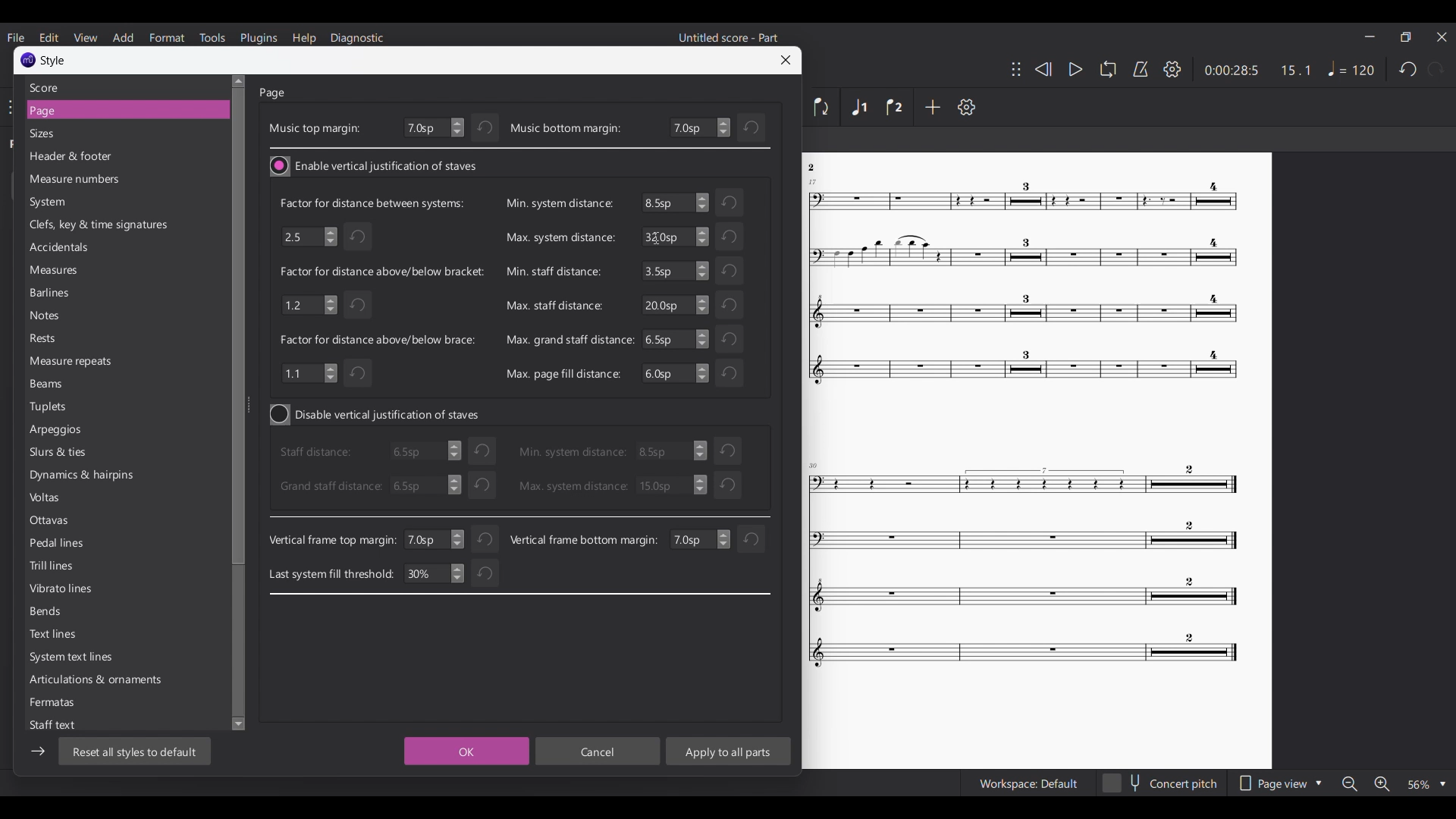 Image resolution: width=1456 pixels, height=819 pixels. Describe the element at coordinates (576, 487) in the screenshot. I see `Max. system distance` at that location.